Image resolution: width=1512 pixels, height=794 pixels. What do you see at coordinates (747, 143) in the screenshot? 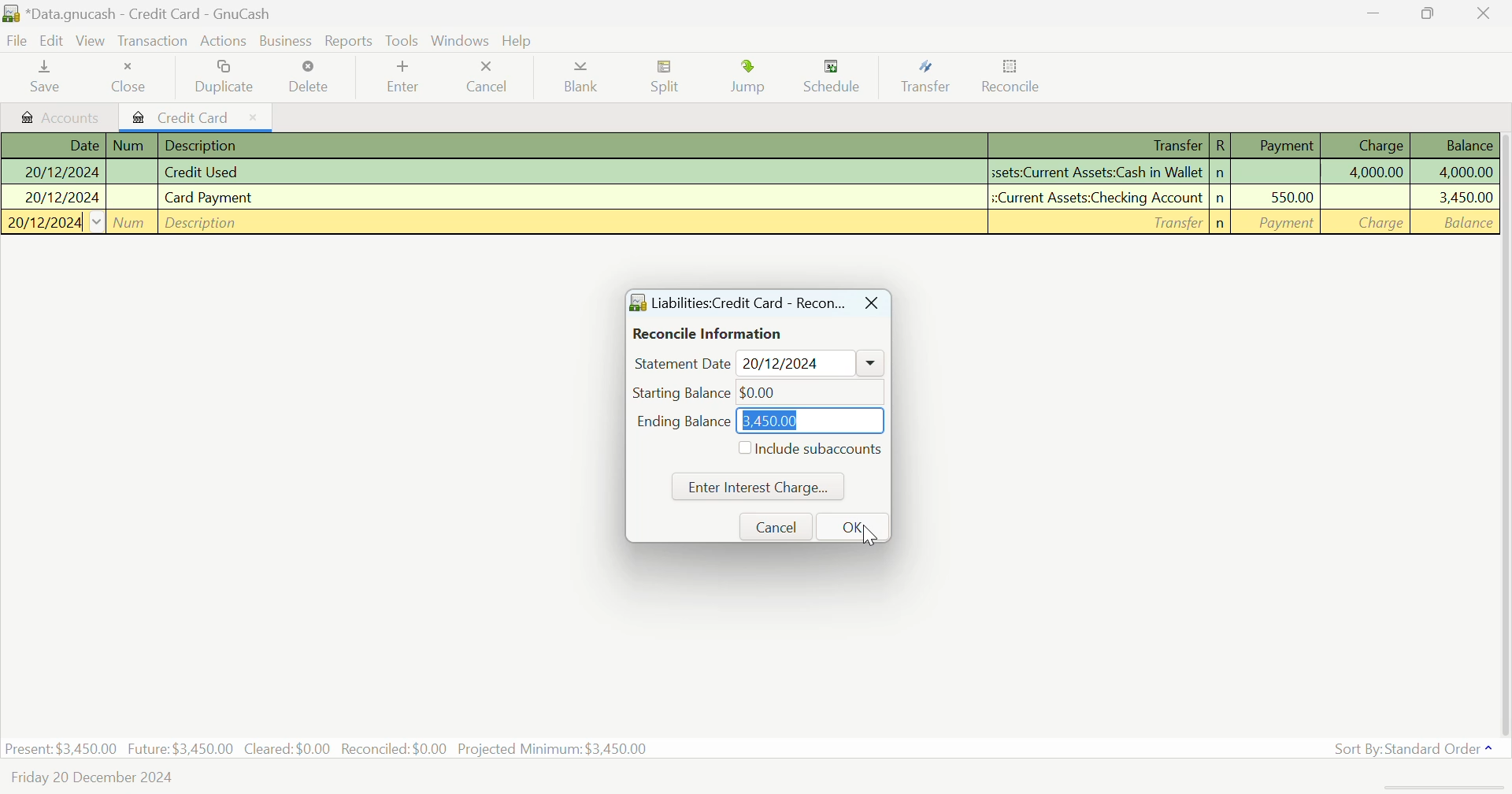
I see `Transaction Details Column Headings` at bounding box center [747, 143].